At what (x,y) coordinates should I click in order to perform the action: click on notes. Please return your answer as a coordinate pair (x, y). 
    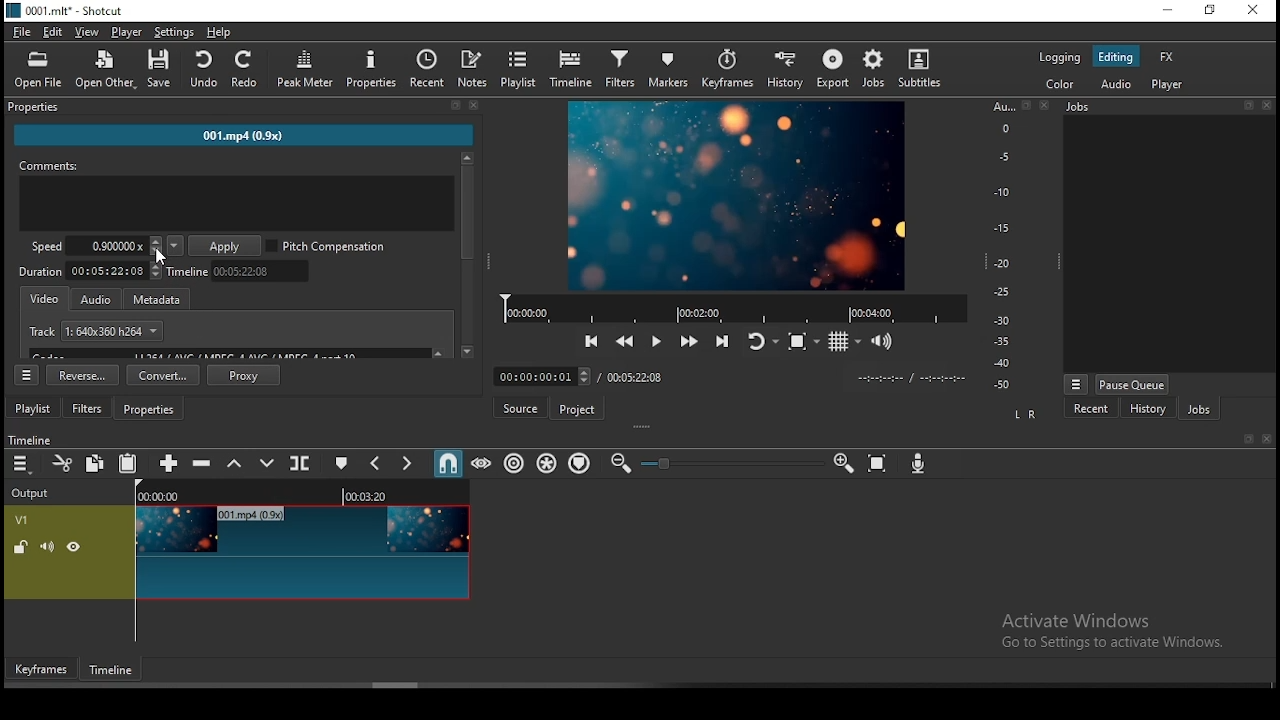
    Looking at the image, I should click on (472, 69).